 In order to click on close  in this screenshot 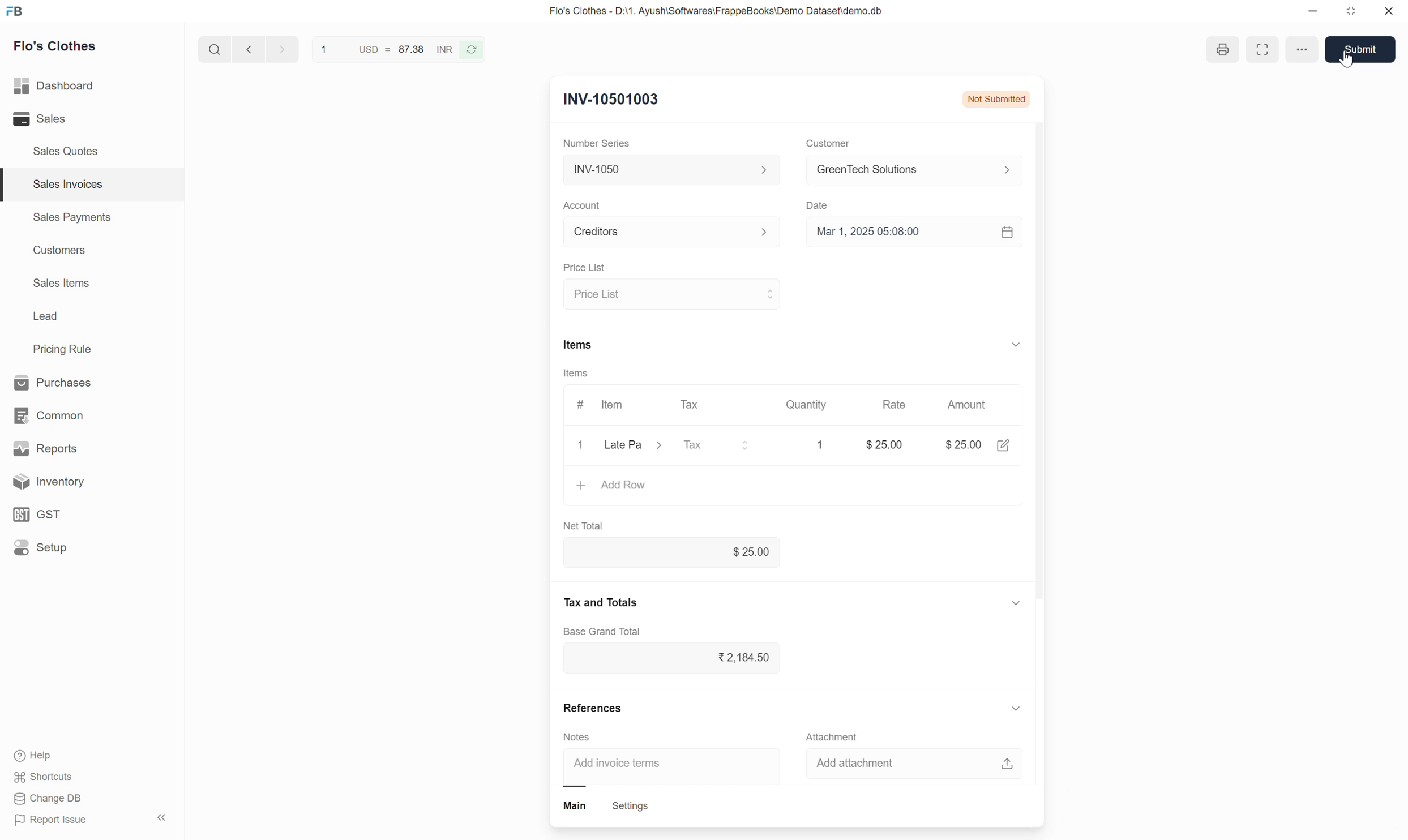, I will do `click(1390, 12)`.